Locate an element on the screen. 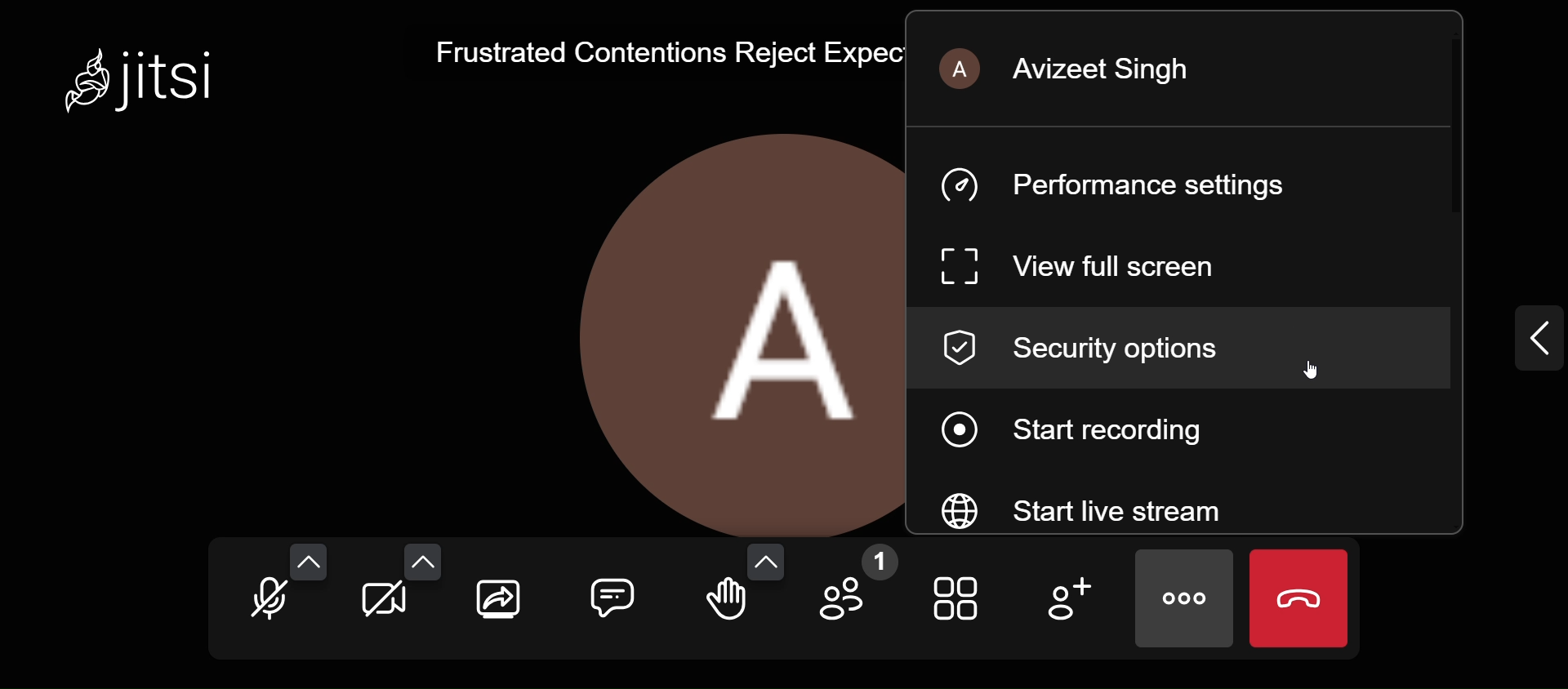 Image resolution: width=1568 pixels, height=689 pixels. cursor is located at coordinates (1320, 371).